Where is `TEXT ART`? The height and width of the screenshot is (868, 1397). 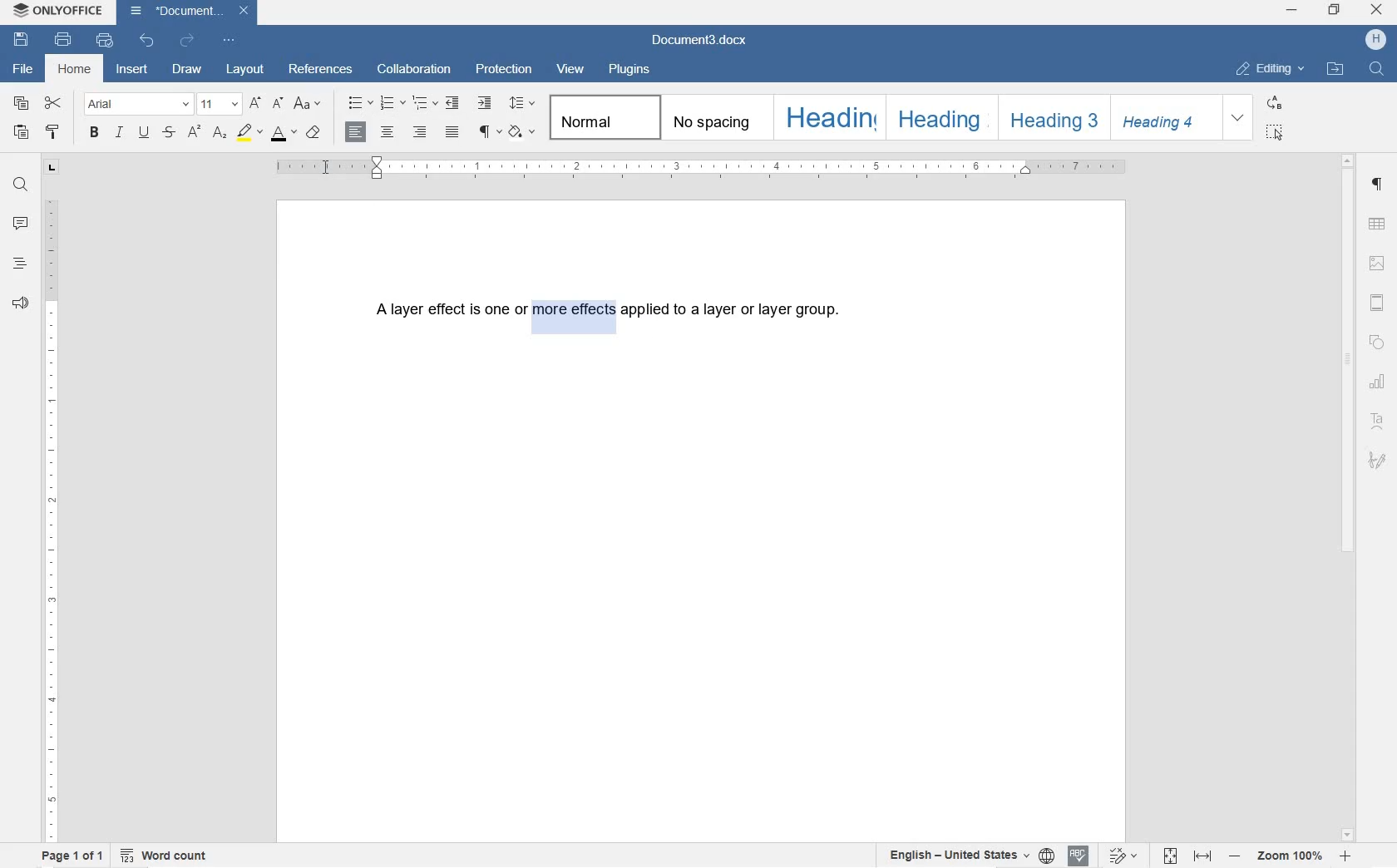 TEXT ART is located at coordinates (1379, 420).